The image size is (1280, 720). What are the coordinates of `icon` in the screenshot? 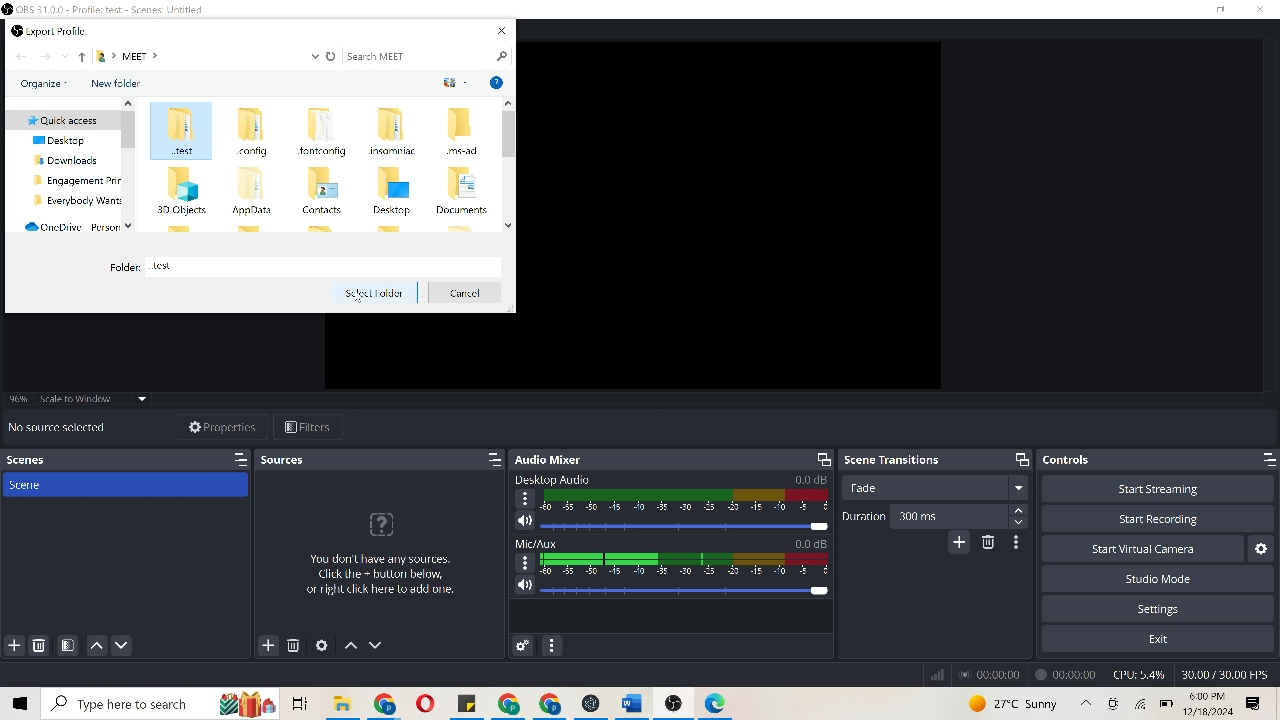 It's located at (16, 30).